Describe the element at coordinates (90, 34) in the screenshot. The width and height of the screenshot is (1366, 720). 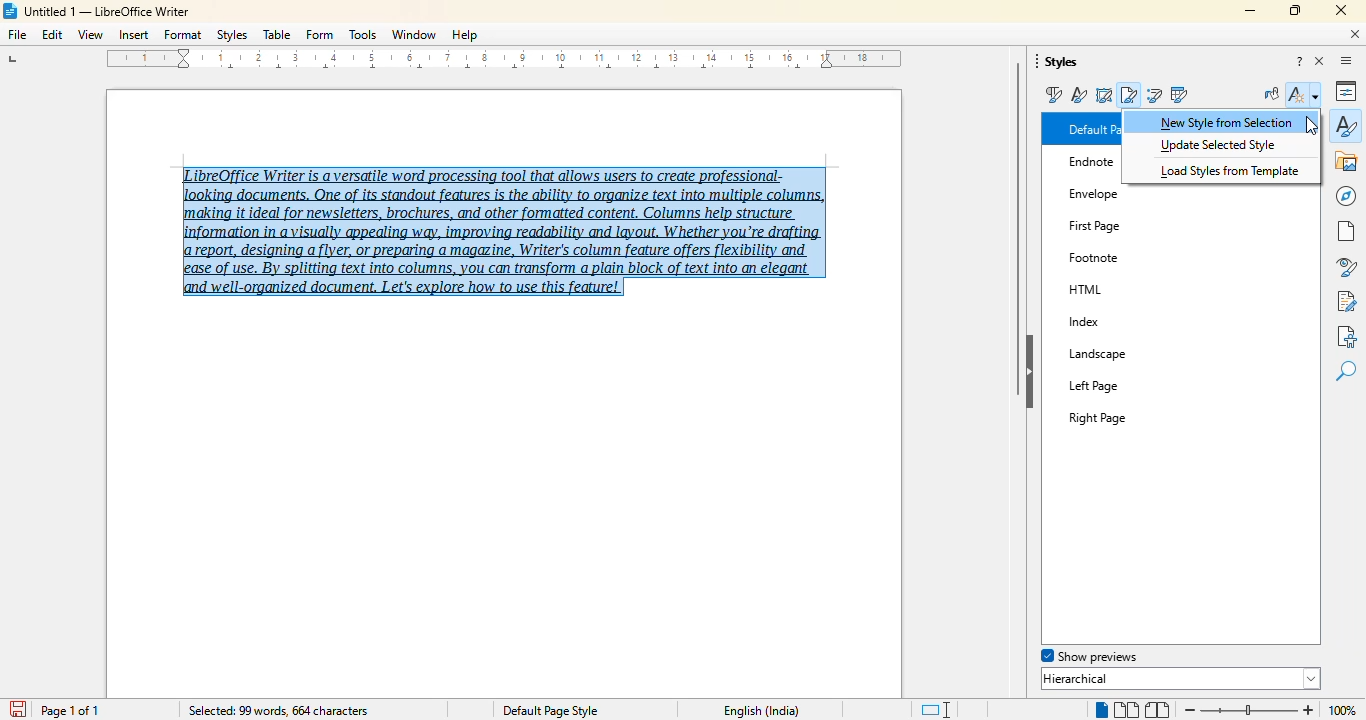
I see `view` at that location.